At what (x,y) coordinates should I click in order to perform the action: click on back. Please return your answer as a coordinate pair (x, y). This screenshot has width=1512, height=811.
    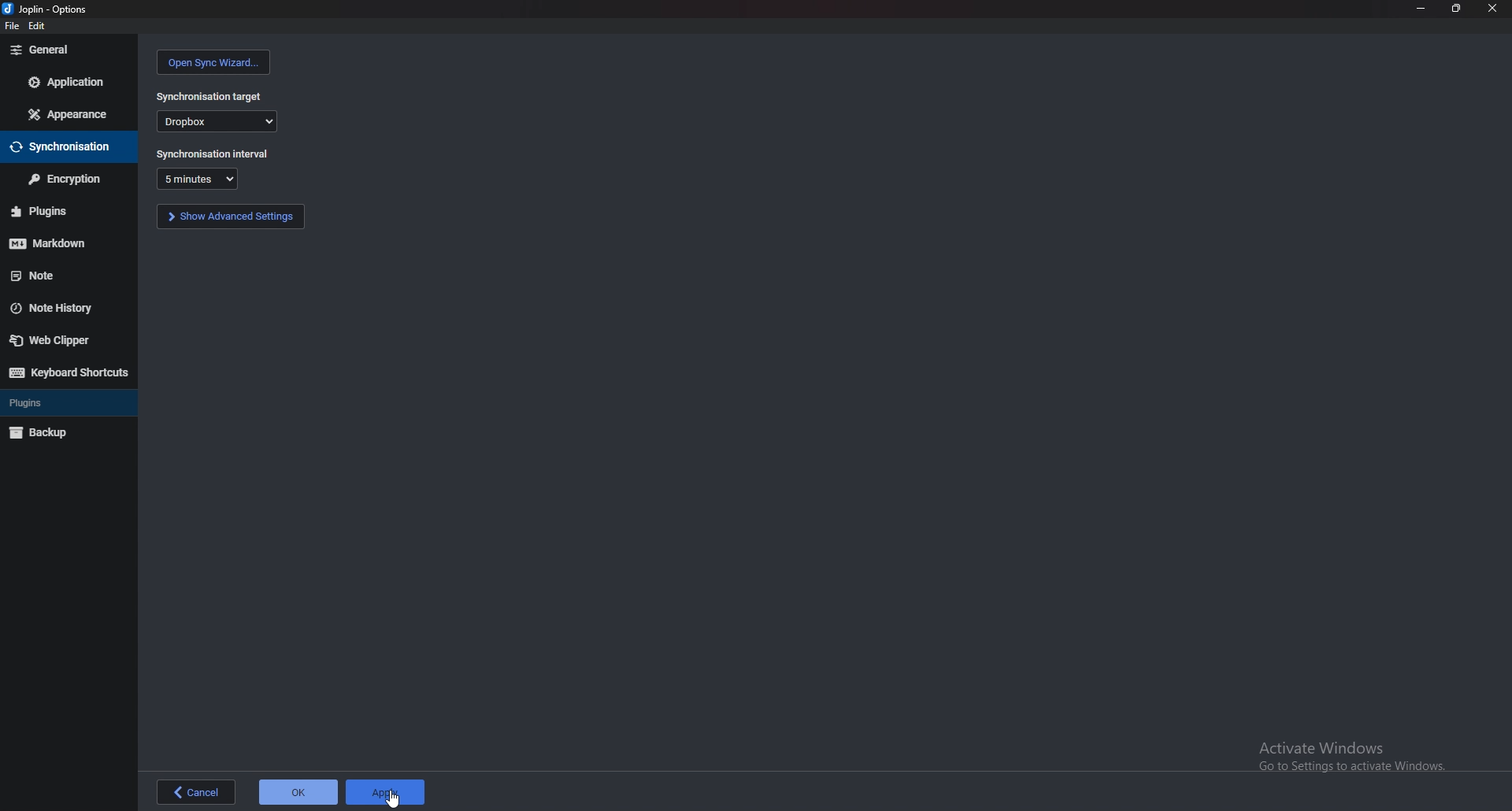
    Looking at the image, I should click on (200, 792).